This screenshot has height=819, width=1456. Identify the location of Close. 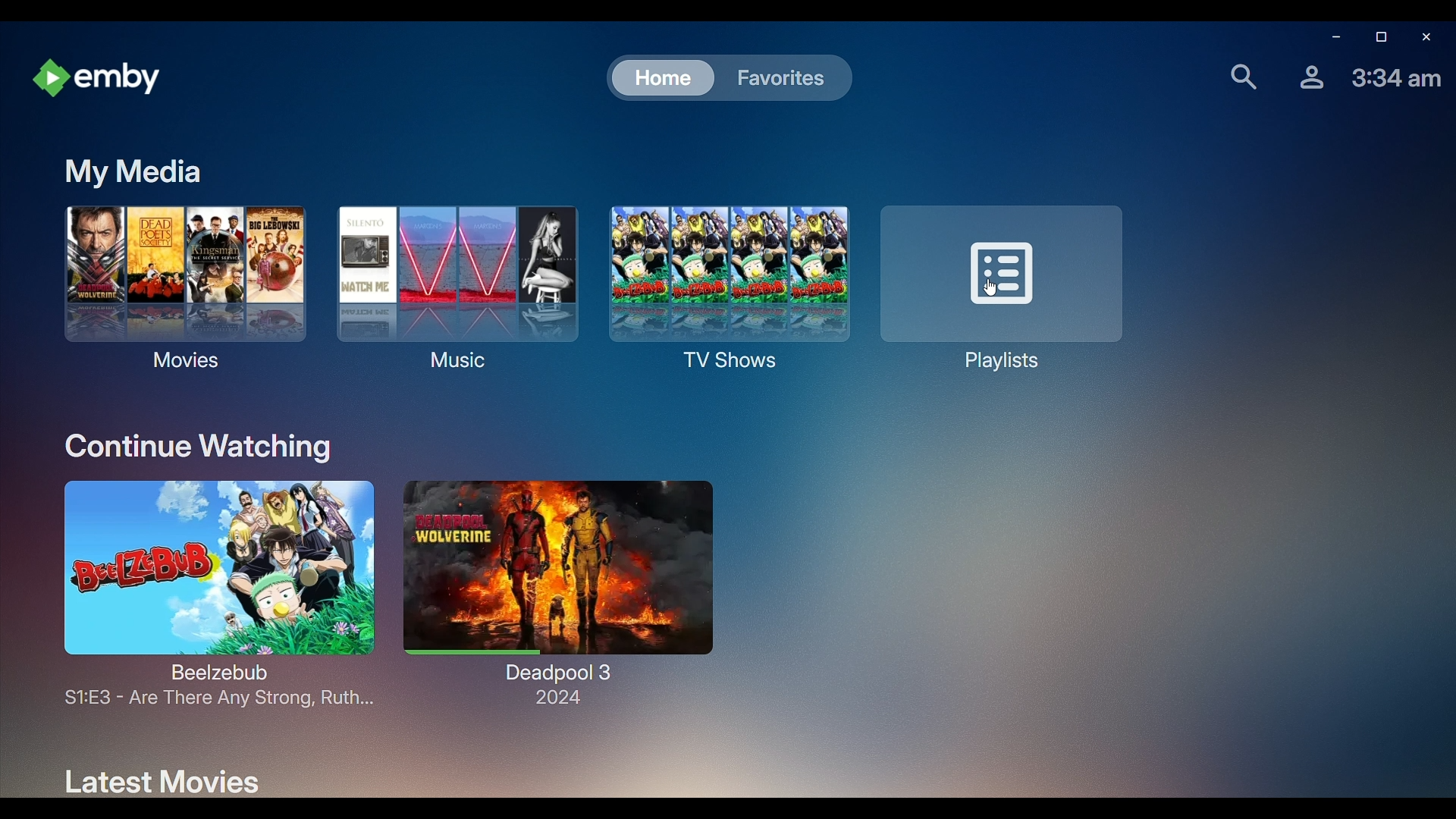
(1426, 38).